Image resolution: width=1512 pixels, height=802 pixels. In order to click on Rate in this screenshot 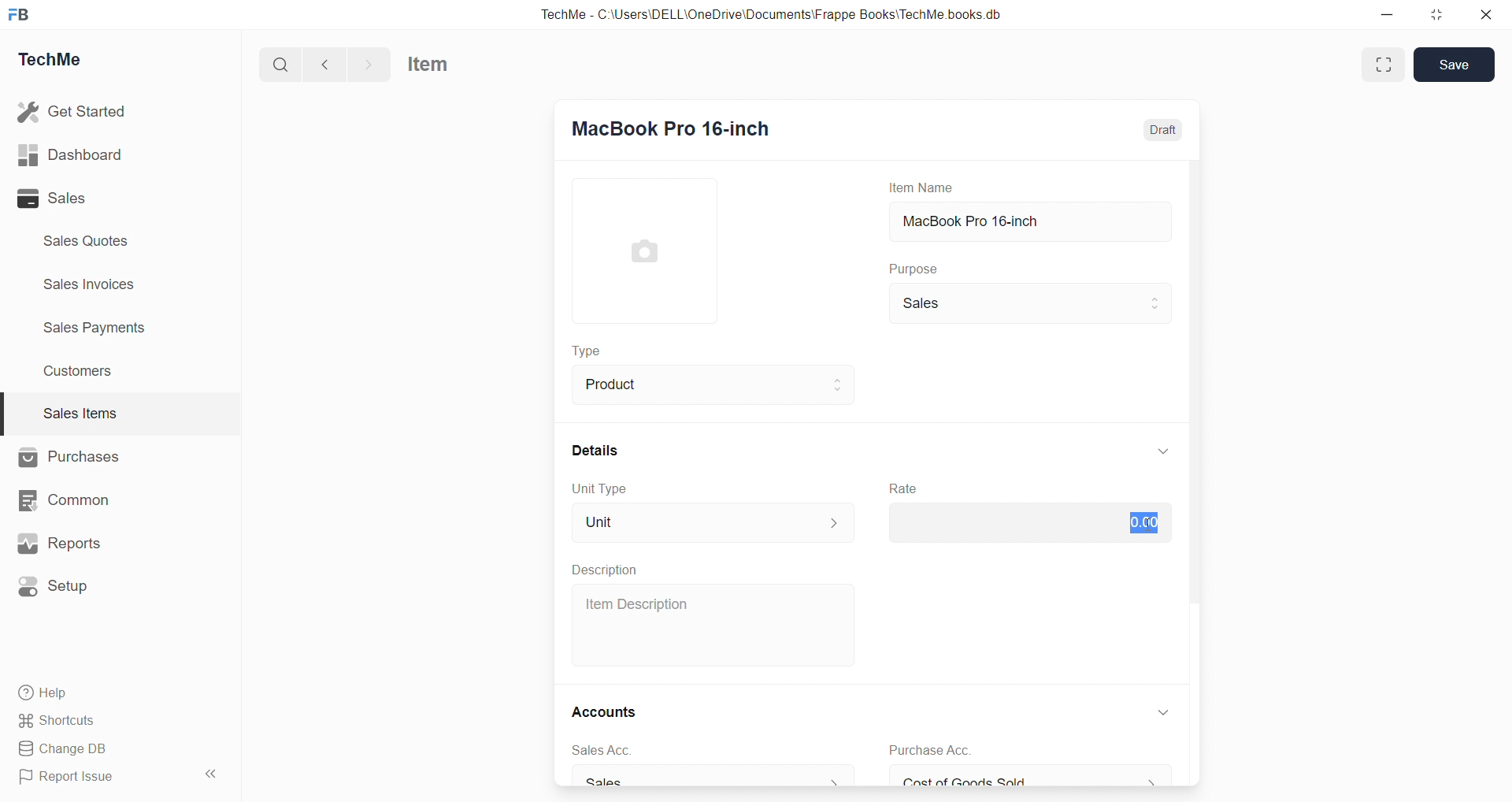, I will do `click(902, 488)`.